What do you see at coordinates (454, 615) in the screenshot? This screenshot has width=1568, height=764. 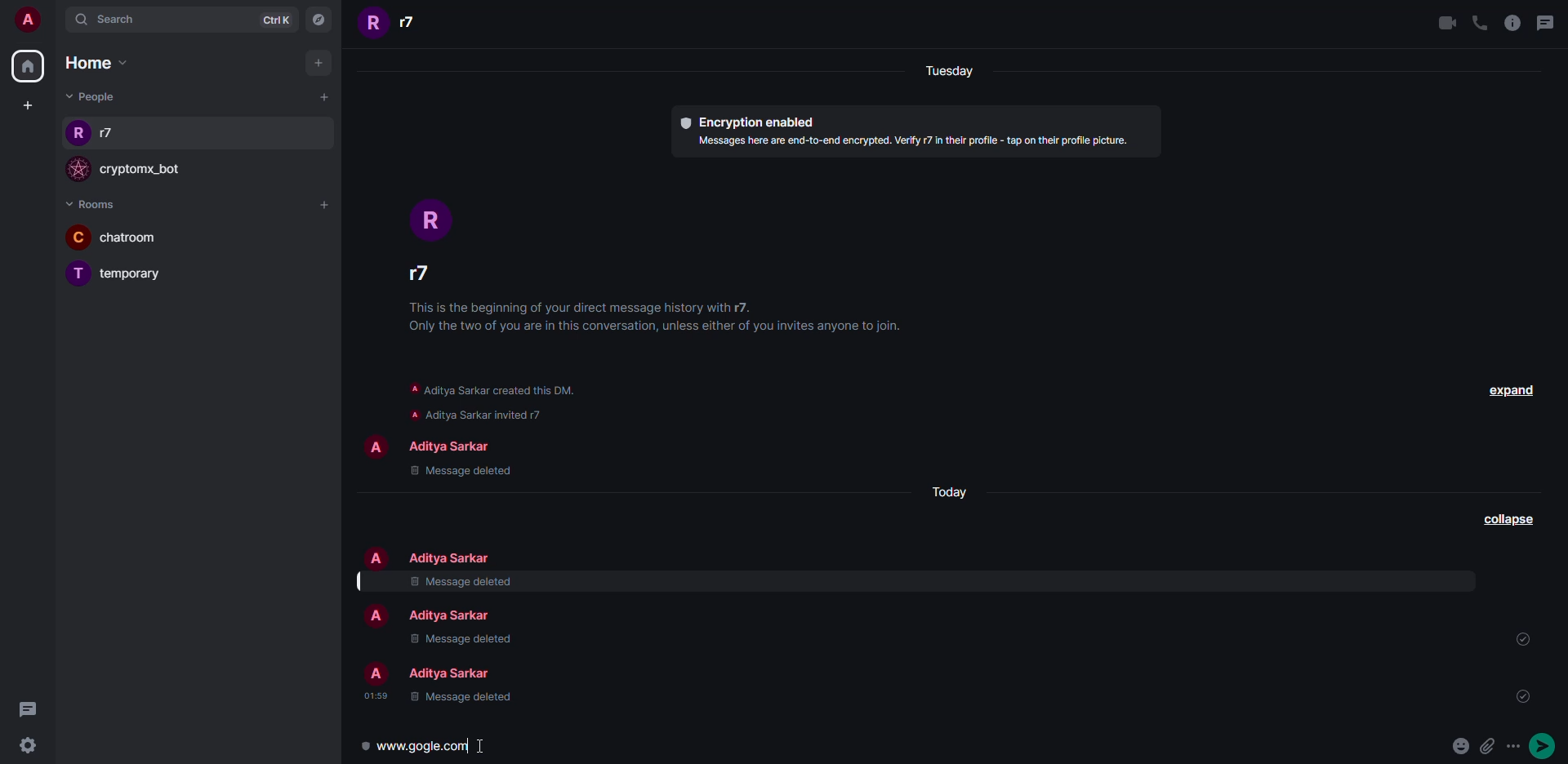 I see `people` at bounding box center [454, 615].